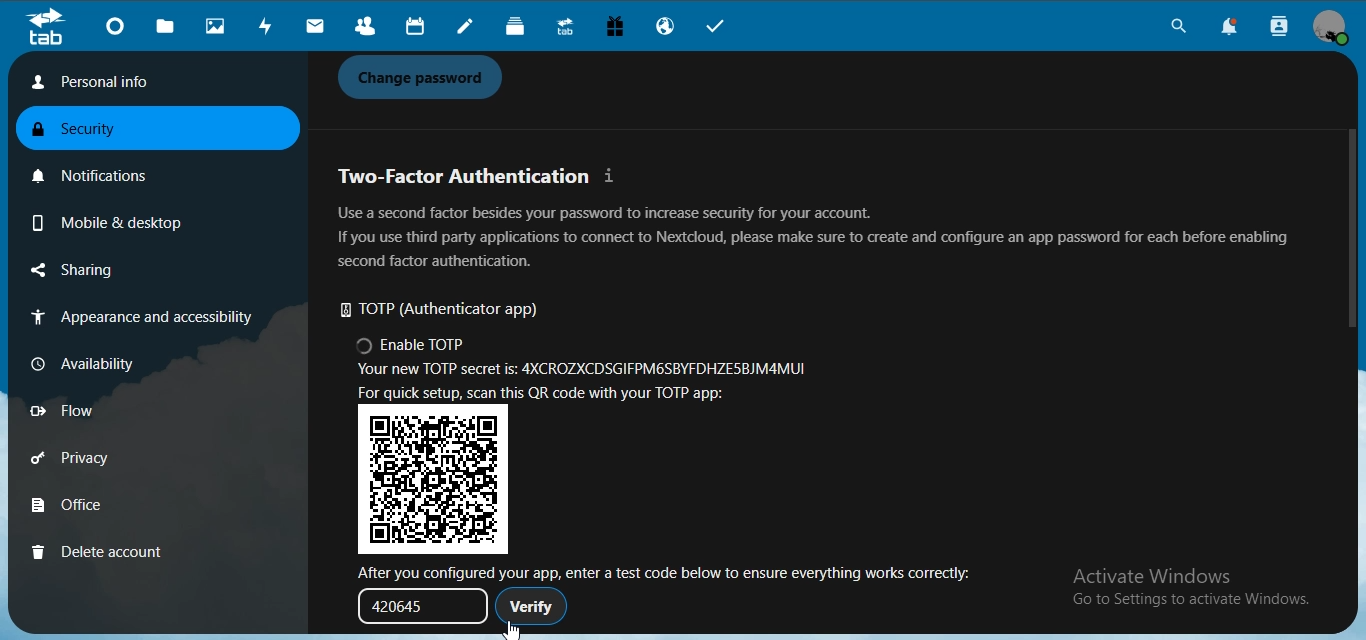 This screenshot has height=640, width=1366. What do you see at coordinates (520, 28) in the screenshot?
I see `deck` at bounding box center [520, 28].